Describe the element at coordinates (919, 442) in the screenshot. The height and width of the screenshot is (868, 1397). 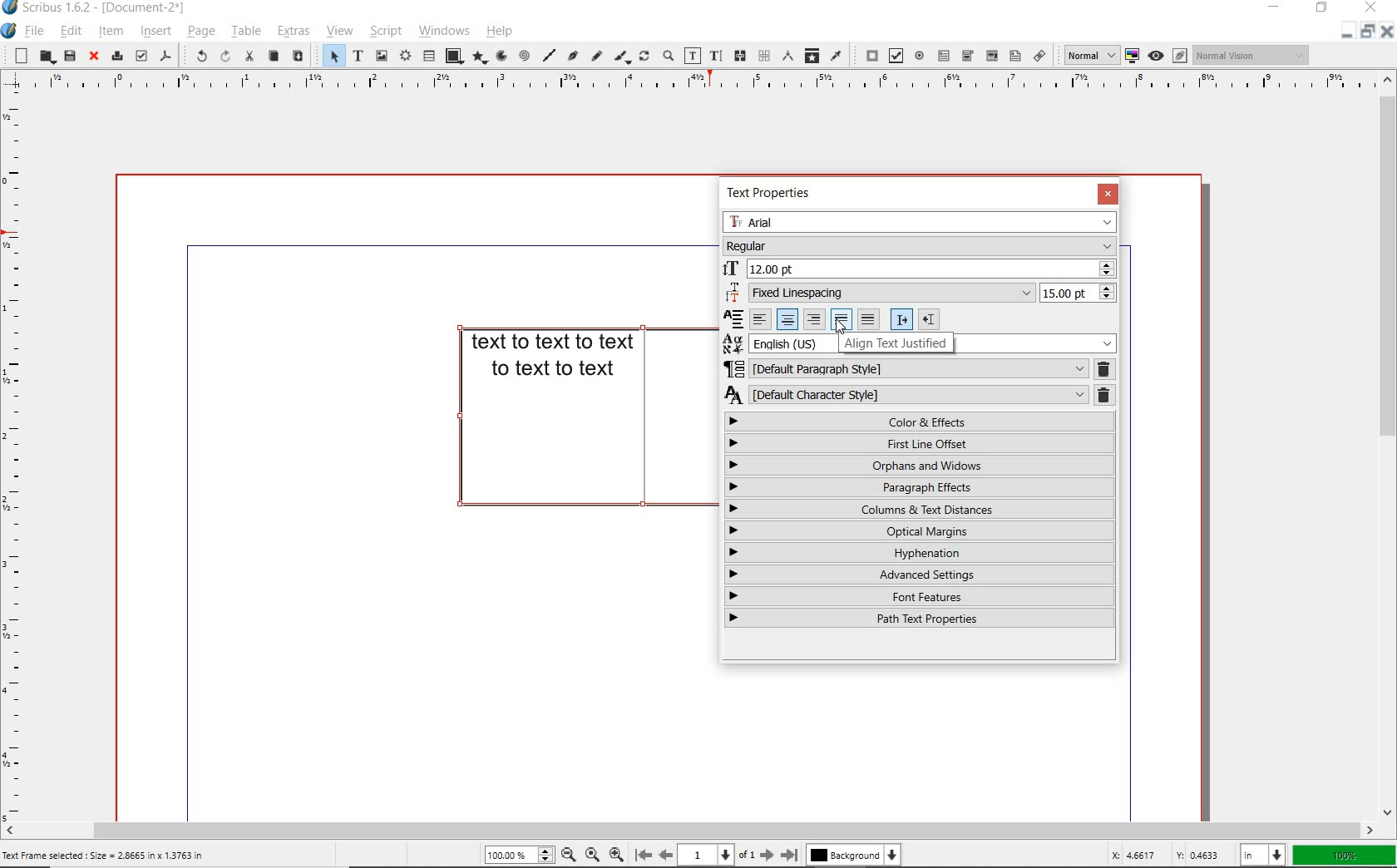
I see `FIRST LINE OFFSET` at that location.